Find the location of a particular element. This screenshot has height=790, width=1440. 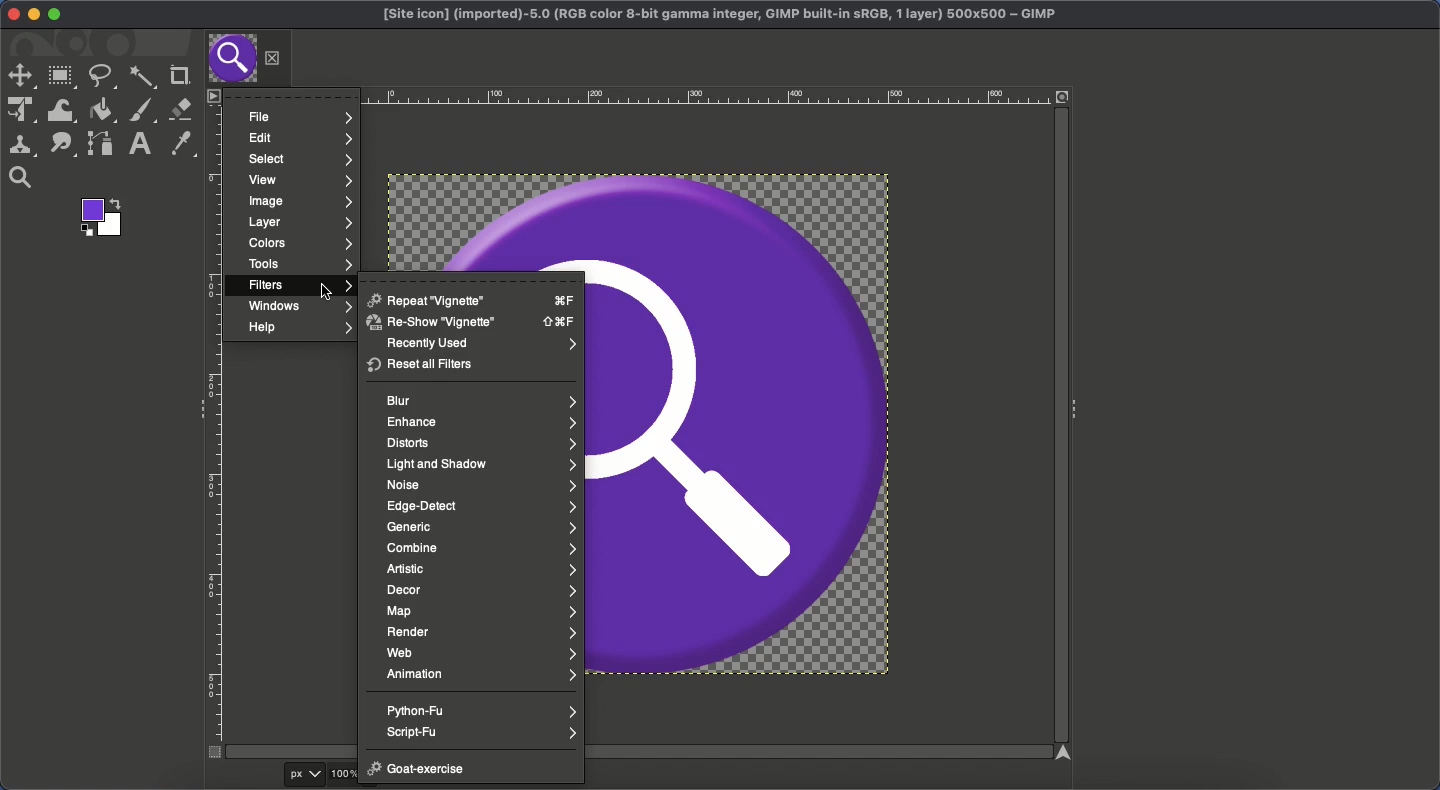

Reset all filters is located at coordinates (422, 365).